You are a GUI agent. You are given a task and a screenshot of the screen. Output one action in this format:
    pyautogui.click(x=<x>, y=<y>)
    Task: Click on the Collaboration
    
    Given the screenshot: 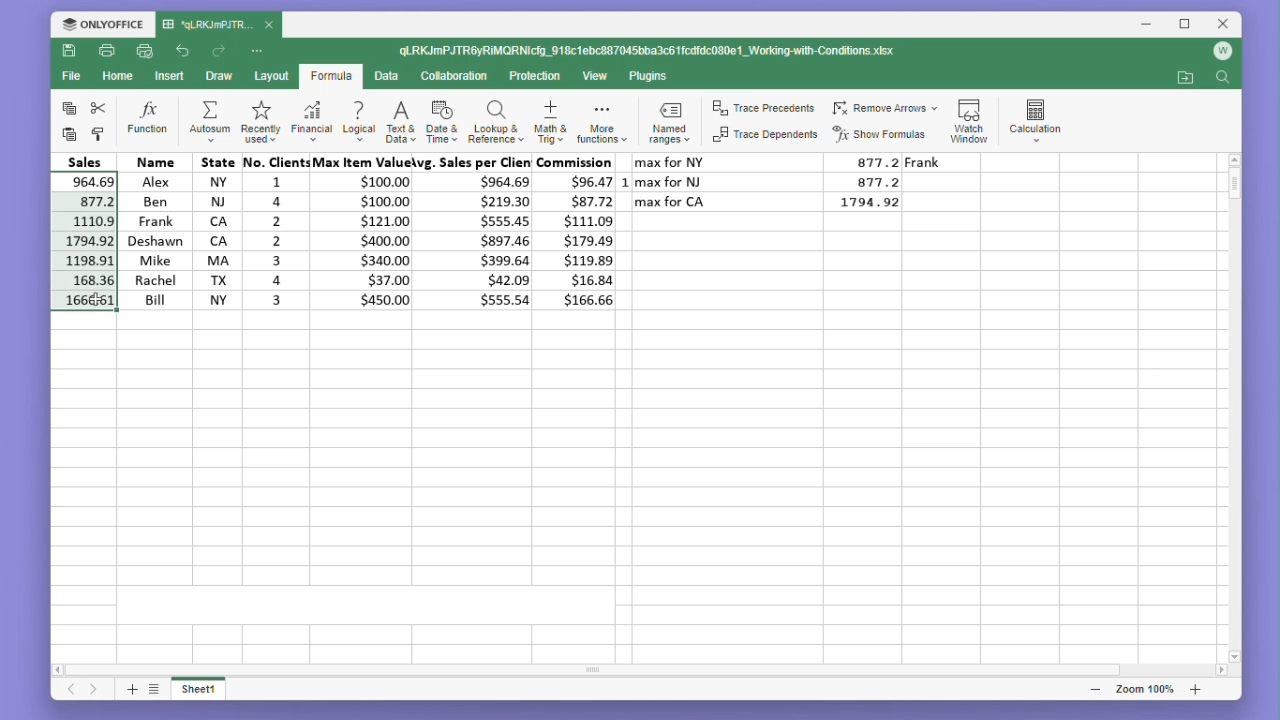 What is the action you would take?
    pyautogui.click(x=453, y=76)
    